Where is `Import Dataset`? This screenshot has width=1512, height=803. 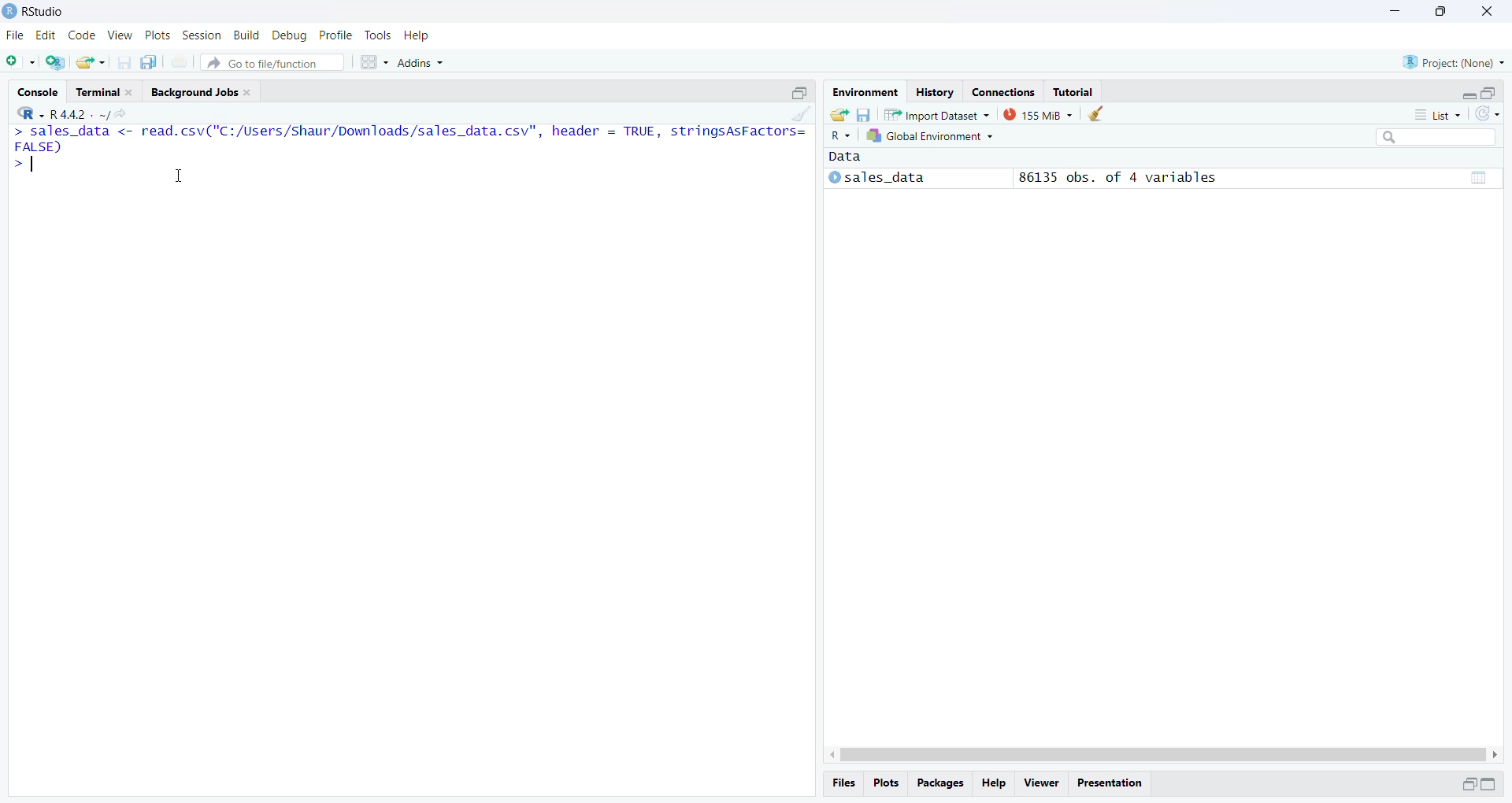 Import Dataset is located at coordinates (939, 117).